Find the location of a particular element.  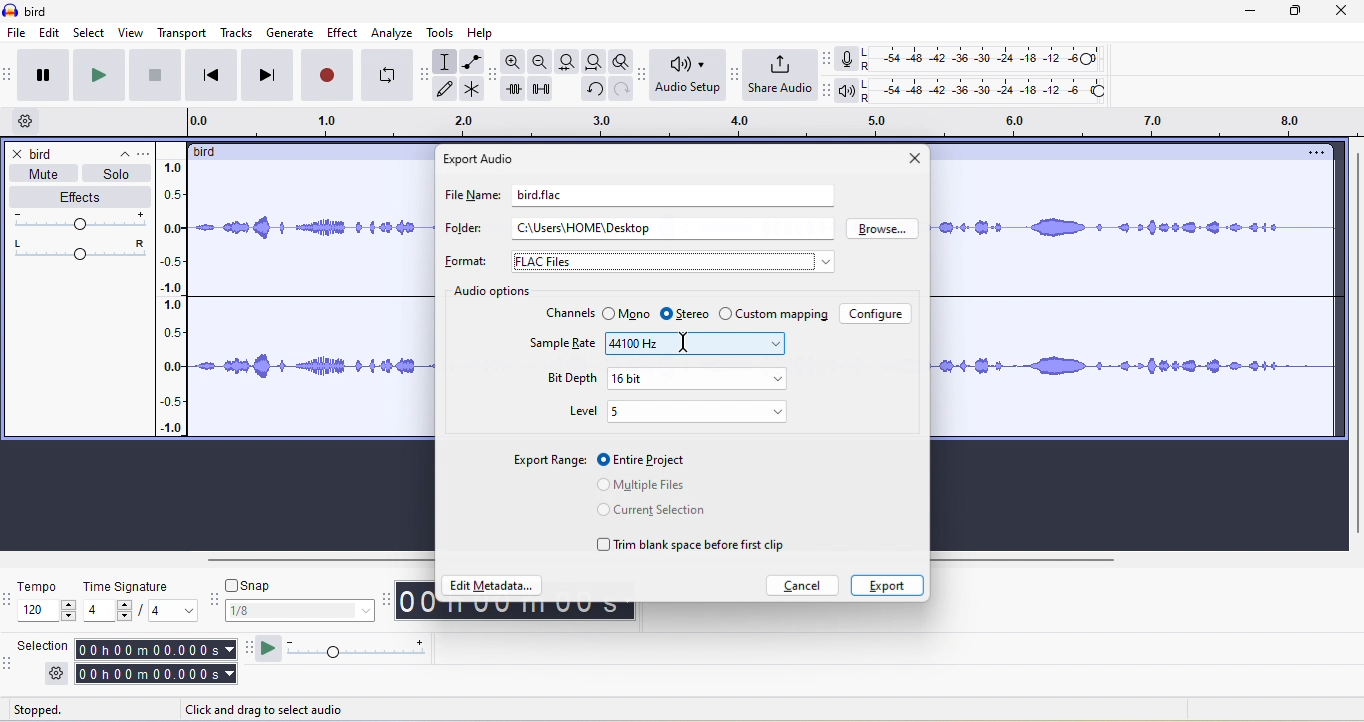

play is located at coordinates (103, 76).